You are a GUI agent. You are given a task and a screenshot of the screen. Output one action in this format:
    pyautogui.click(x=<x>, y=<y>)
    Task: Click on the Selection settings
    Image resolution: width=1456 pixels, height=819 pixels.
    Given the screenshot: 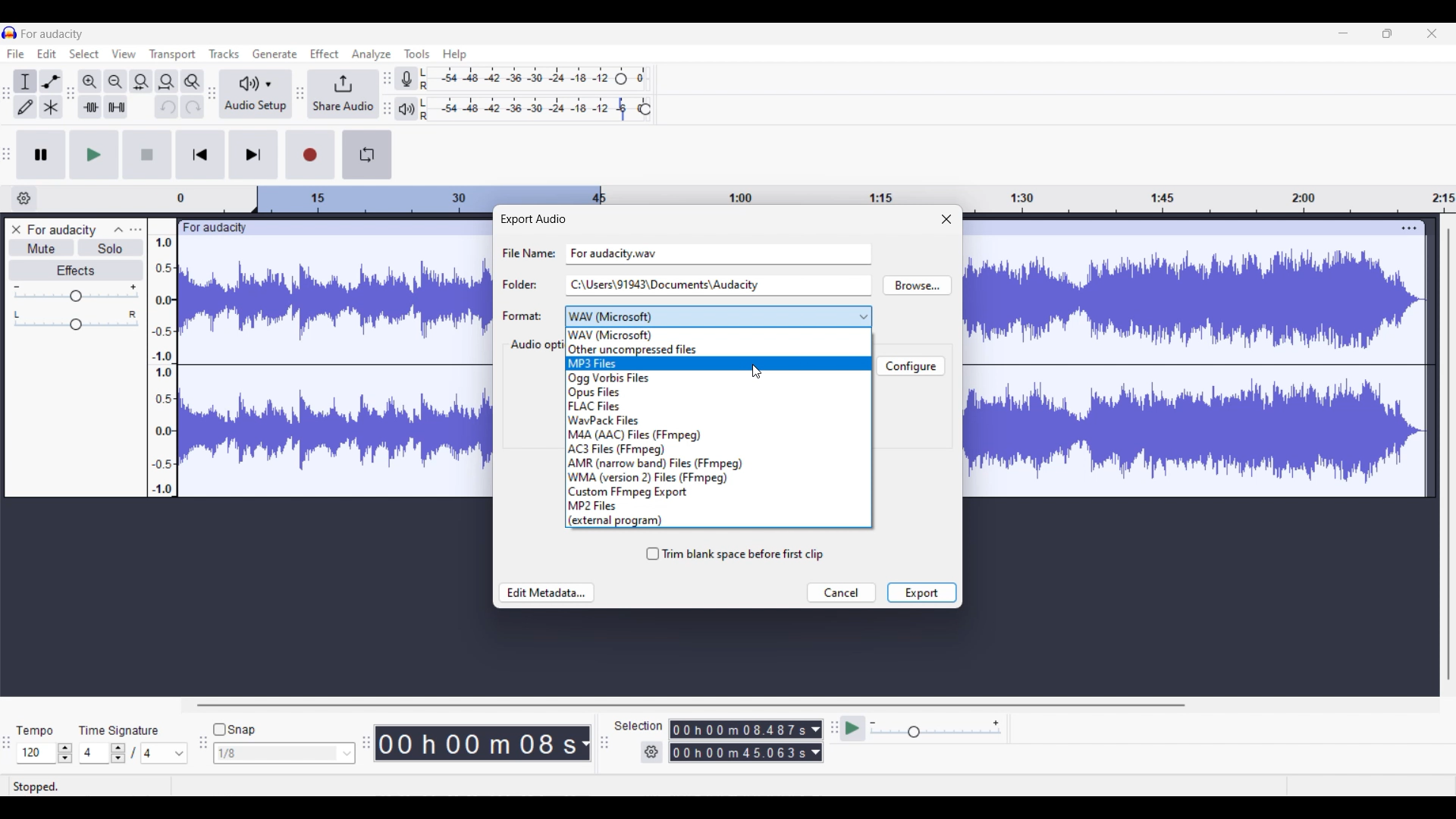 What is the action you would take?
    pyautogui.click(x=652, y=752)
    